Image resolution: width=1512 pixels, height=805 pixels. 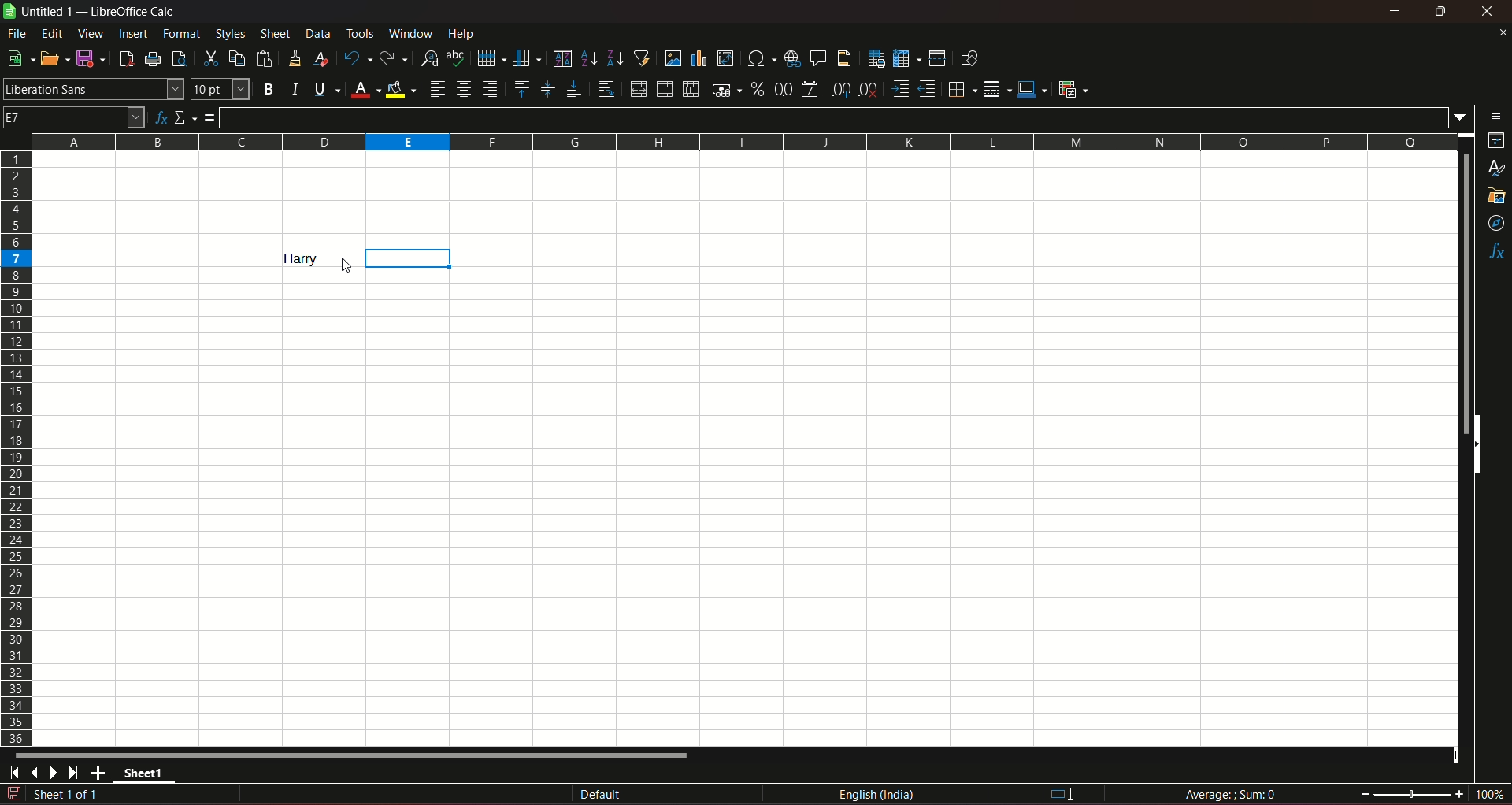 What do you see at coordinates (664, 90) in the screenshot?
I see `merge` at bounding box center [664, 90].